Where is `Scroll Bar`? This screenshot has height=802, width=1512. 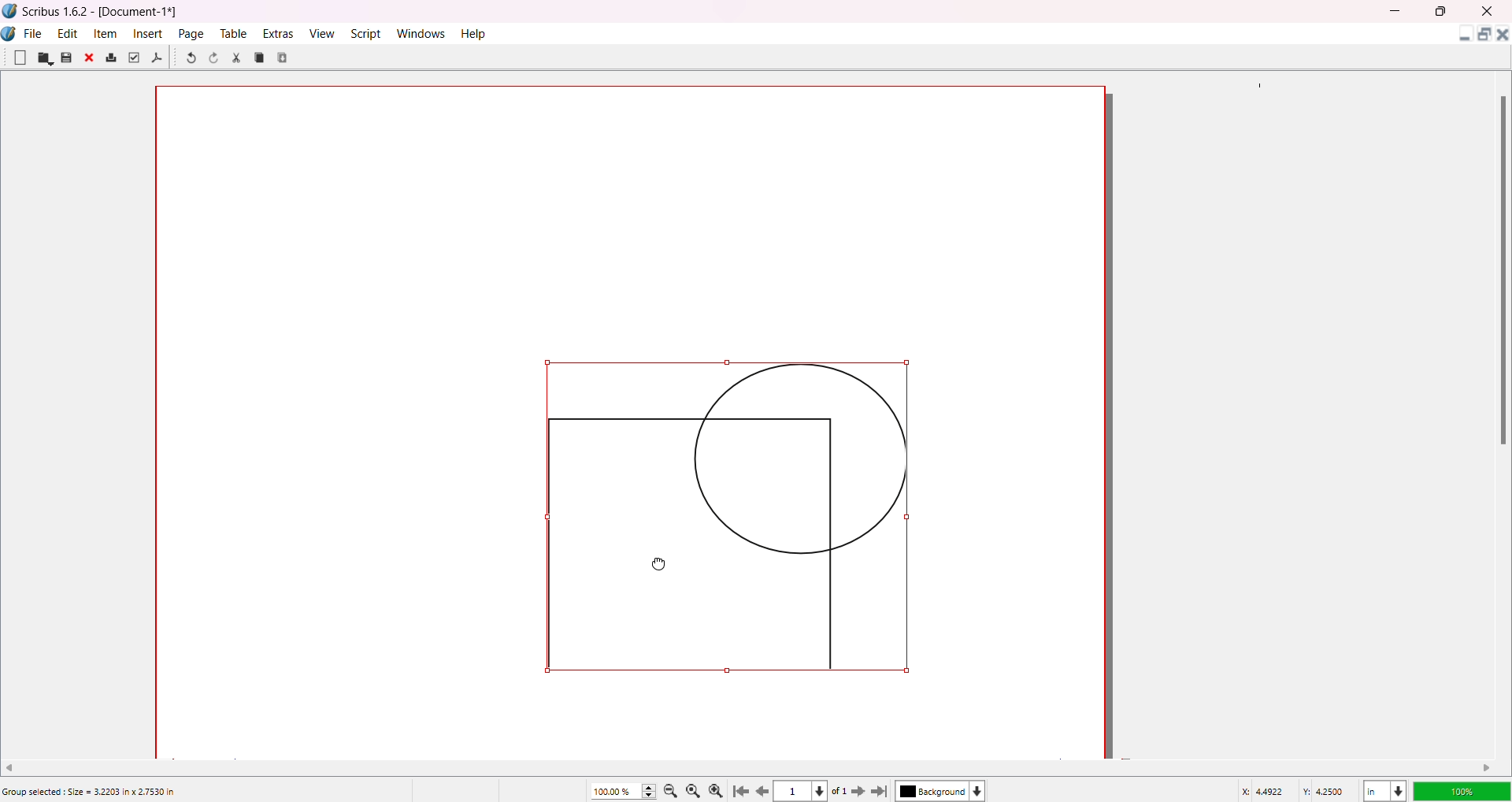
Scroll Bar is located at coordinates (1499, 269).